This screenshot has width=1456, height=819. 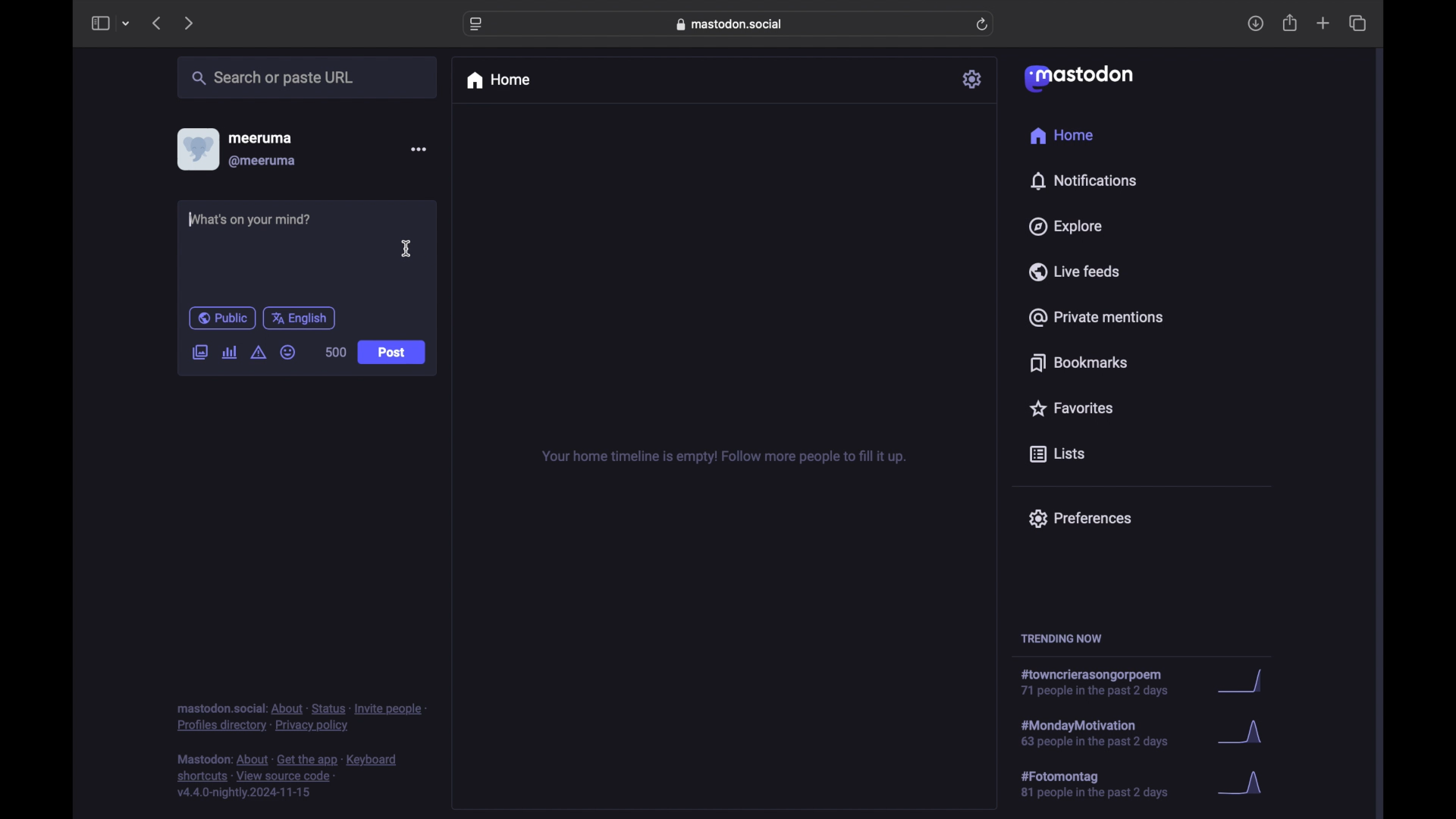 I want to click on footnote, so click(x=301, y=718).